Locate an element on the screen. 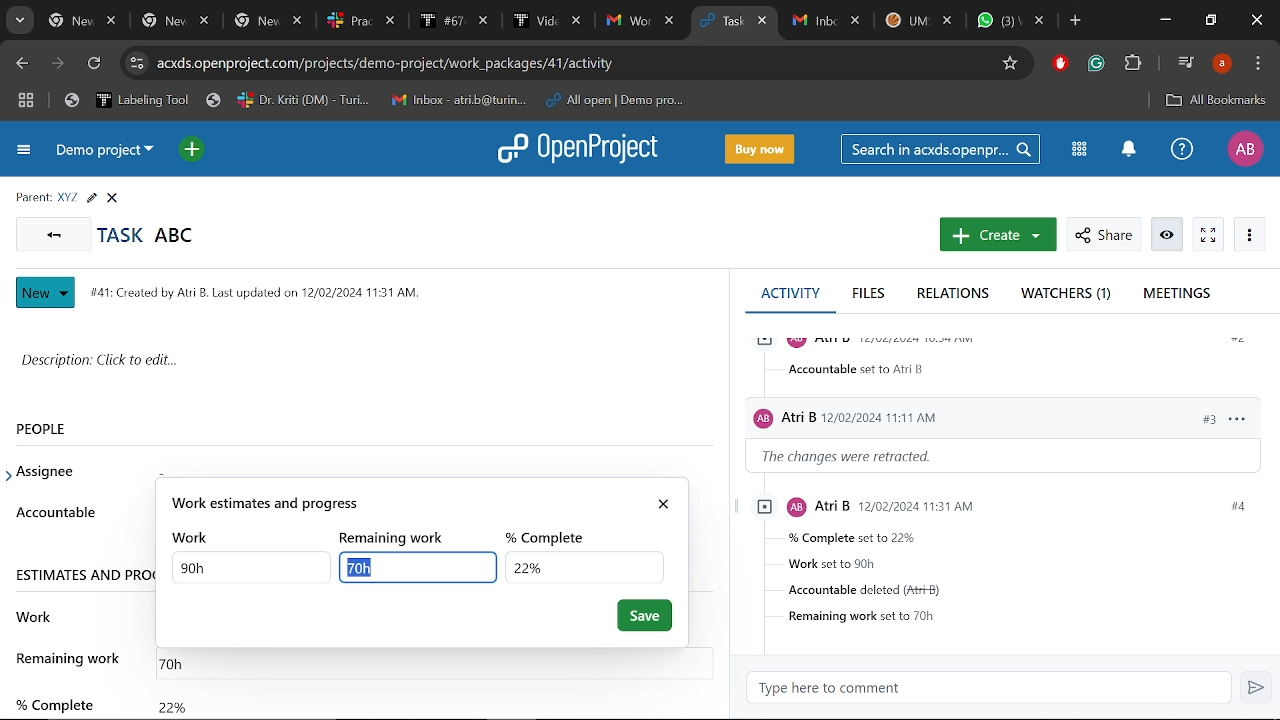  Restore down is located at coordinates (1212, 22).